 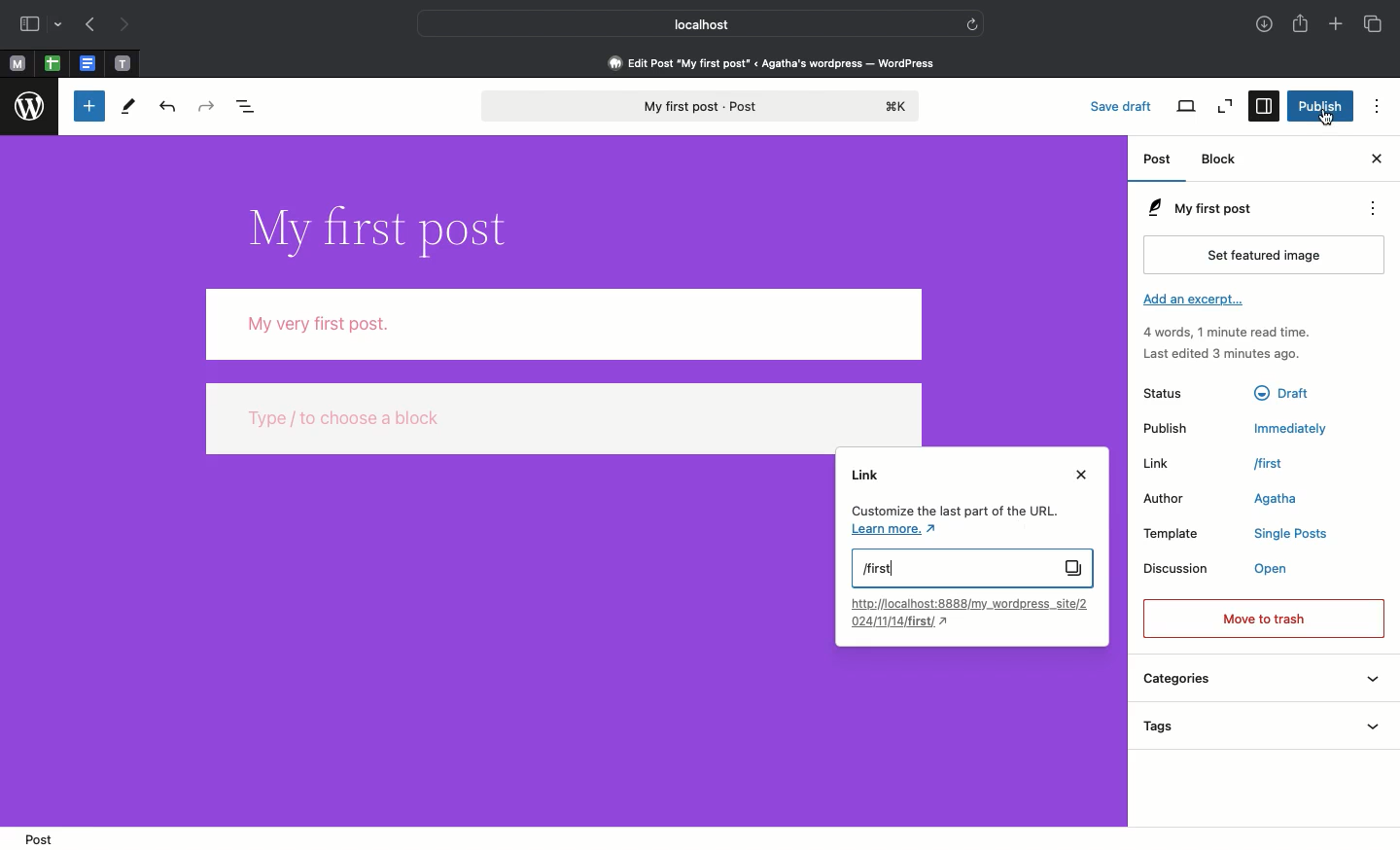 What do you see at coordinates (1293, 465) in the screenshot?
I see `/my-first-post` at bounding box center [1293, 465].